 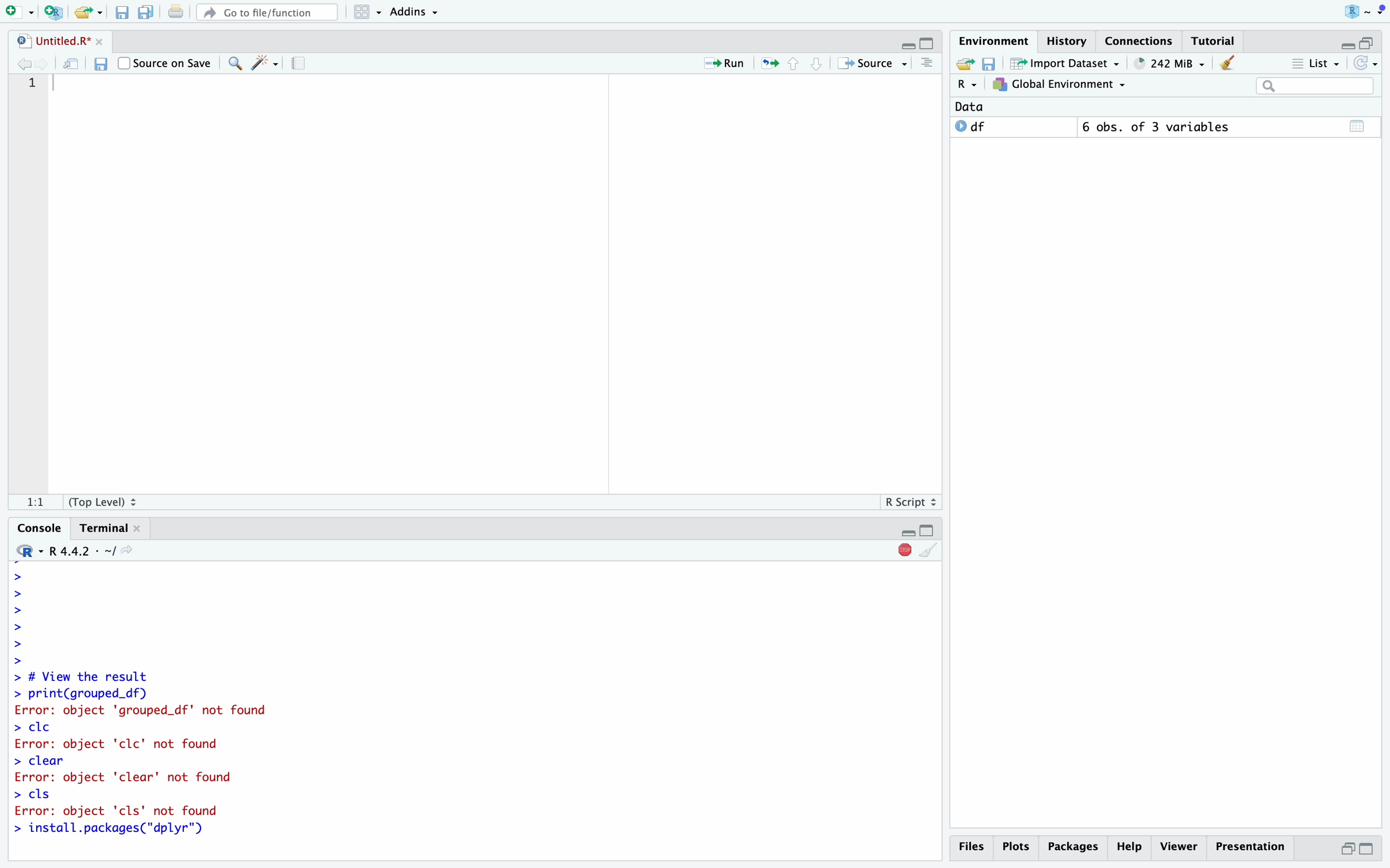 What do you see at coordinates (43, 65) in the screenshot?
I see `Go to next location` at bounding box center [43, 65].